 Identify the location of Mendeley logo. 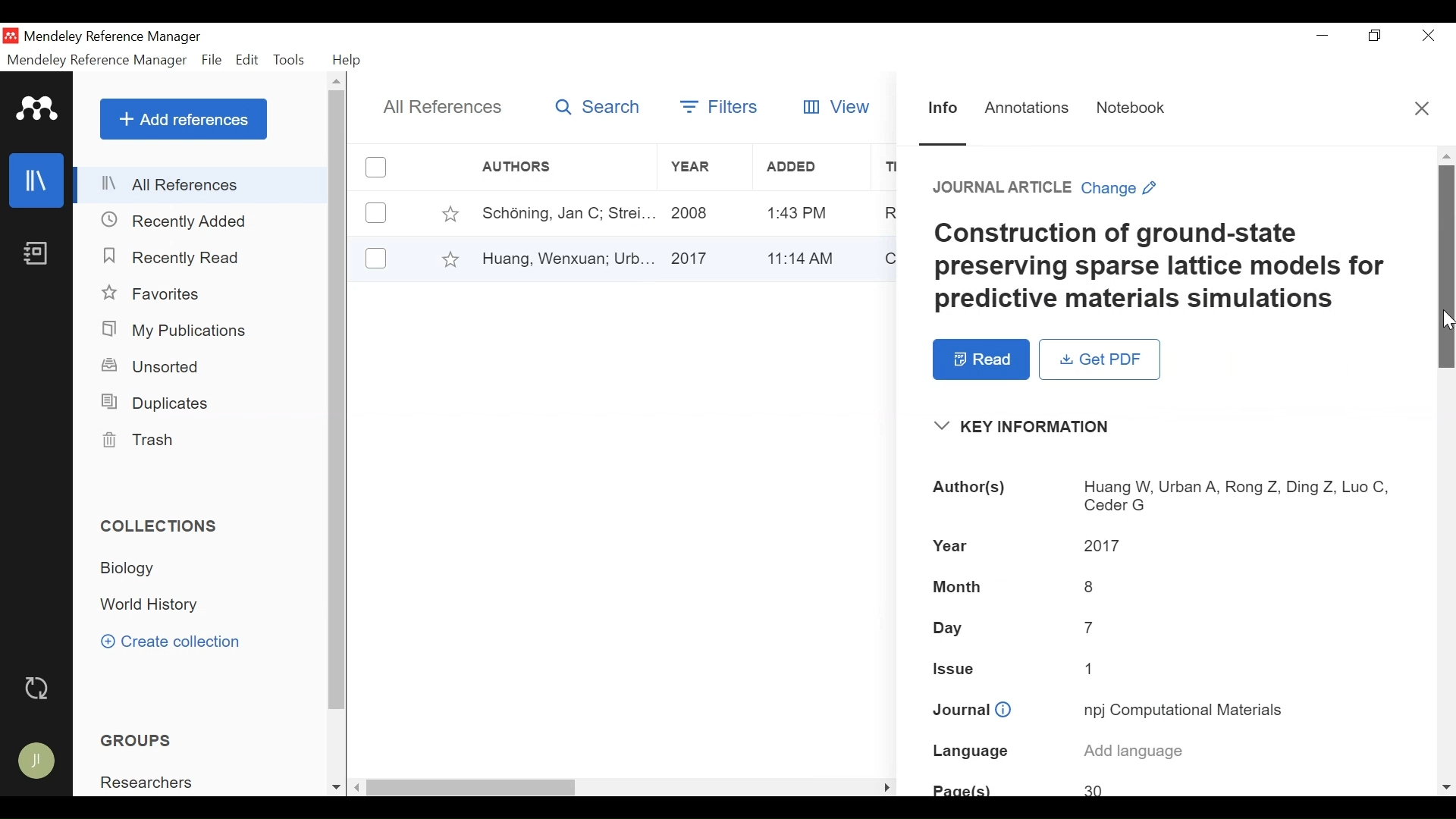
(39, 109).